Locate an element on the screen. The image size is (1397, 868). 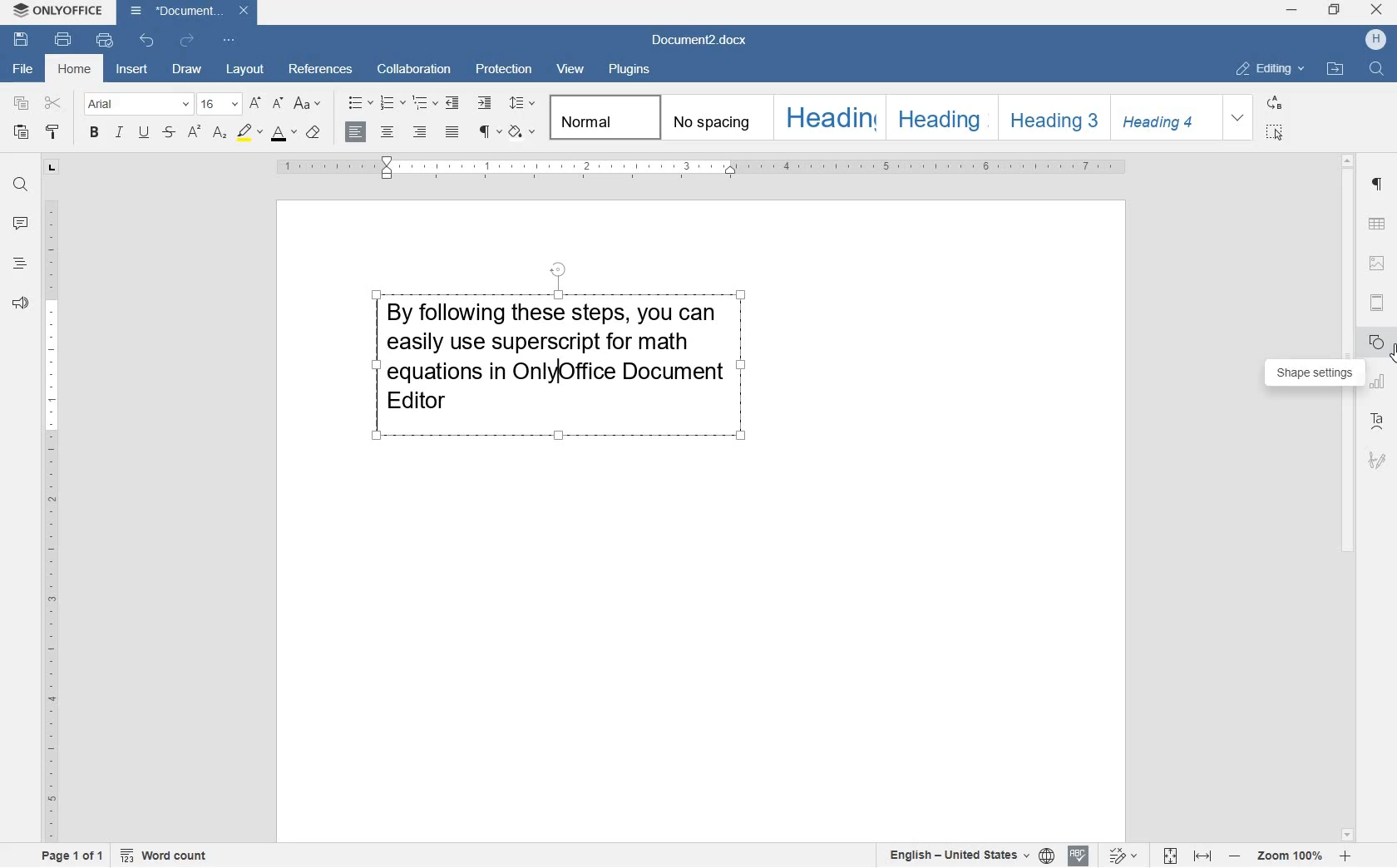
copy is located at coordinates (22, 104).